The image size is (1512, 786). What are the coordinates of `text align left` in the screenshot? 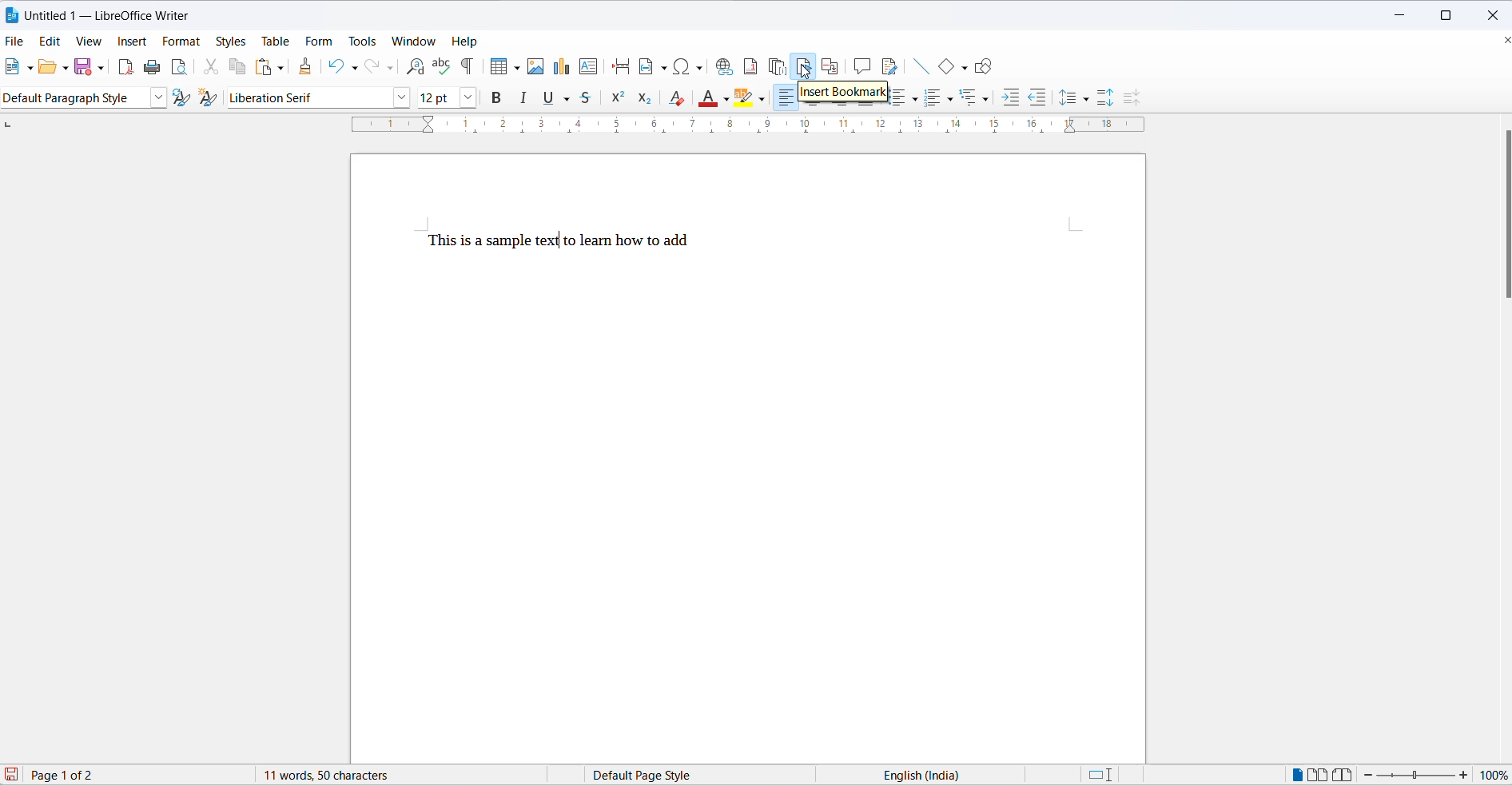 It's located at (784, 97).